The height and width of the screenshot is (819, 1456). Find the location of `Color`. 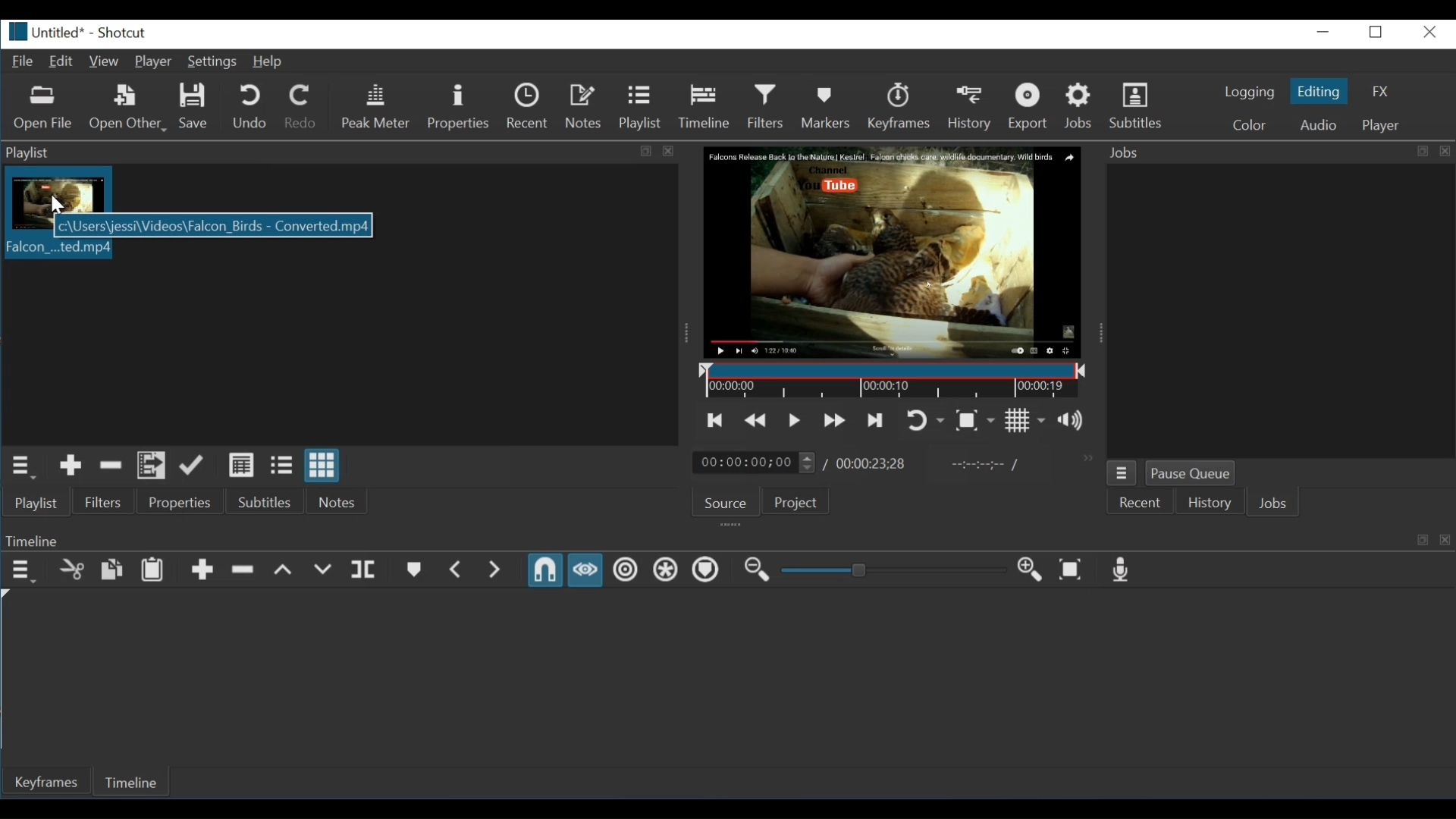

Color is located at coordinates (1250, 124).